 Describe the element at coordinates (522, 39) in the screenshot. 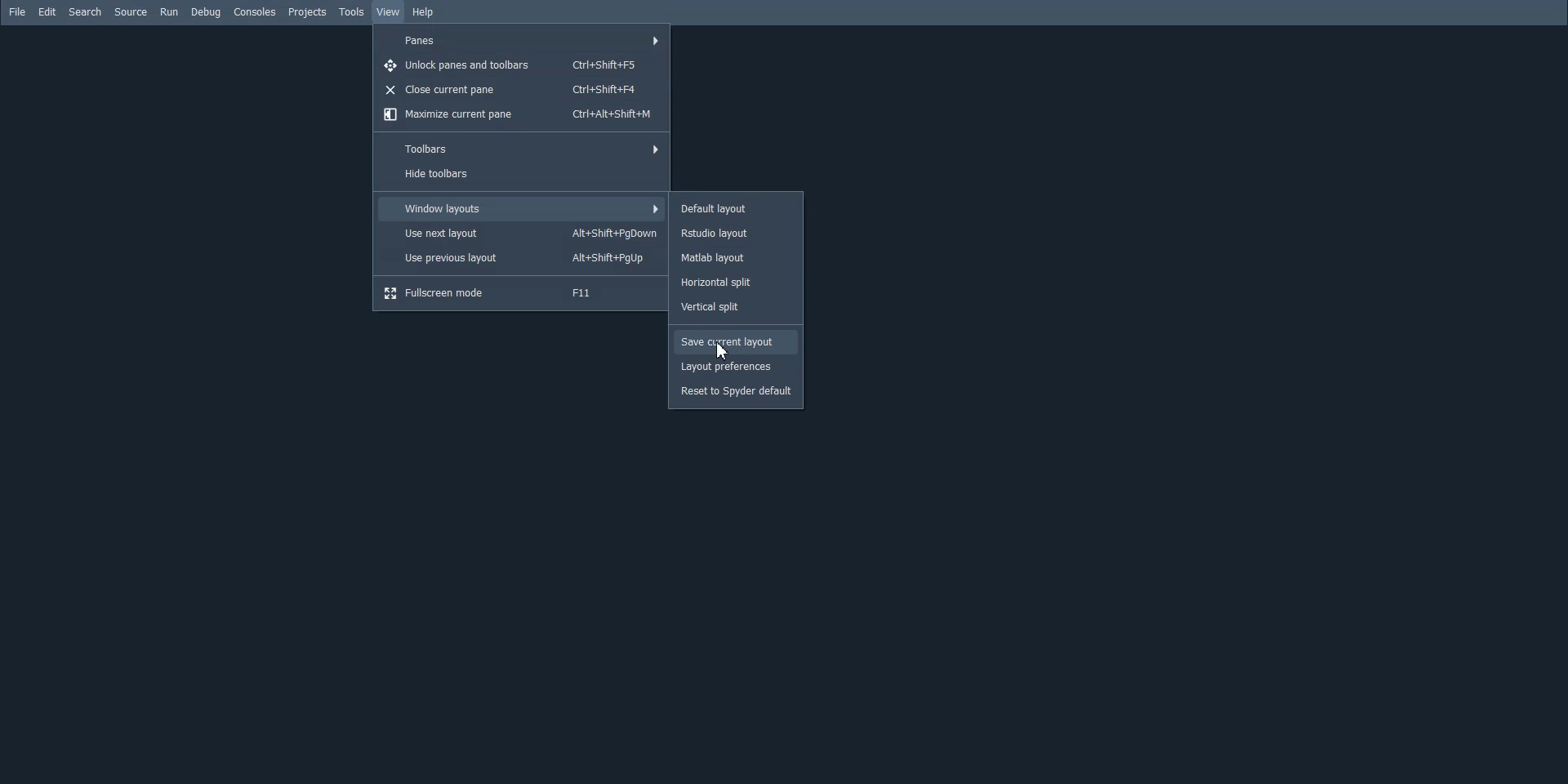

I see `Panes` at that location.